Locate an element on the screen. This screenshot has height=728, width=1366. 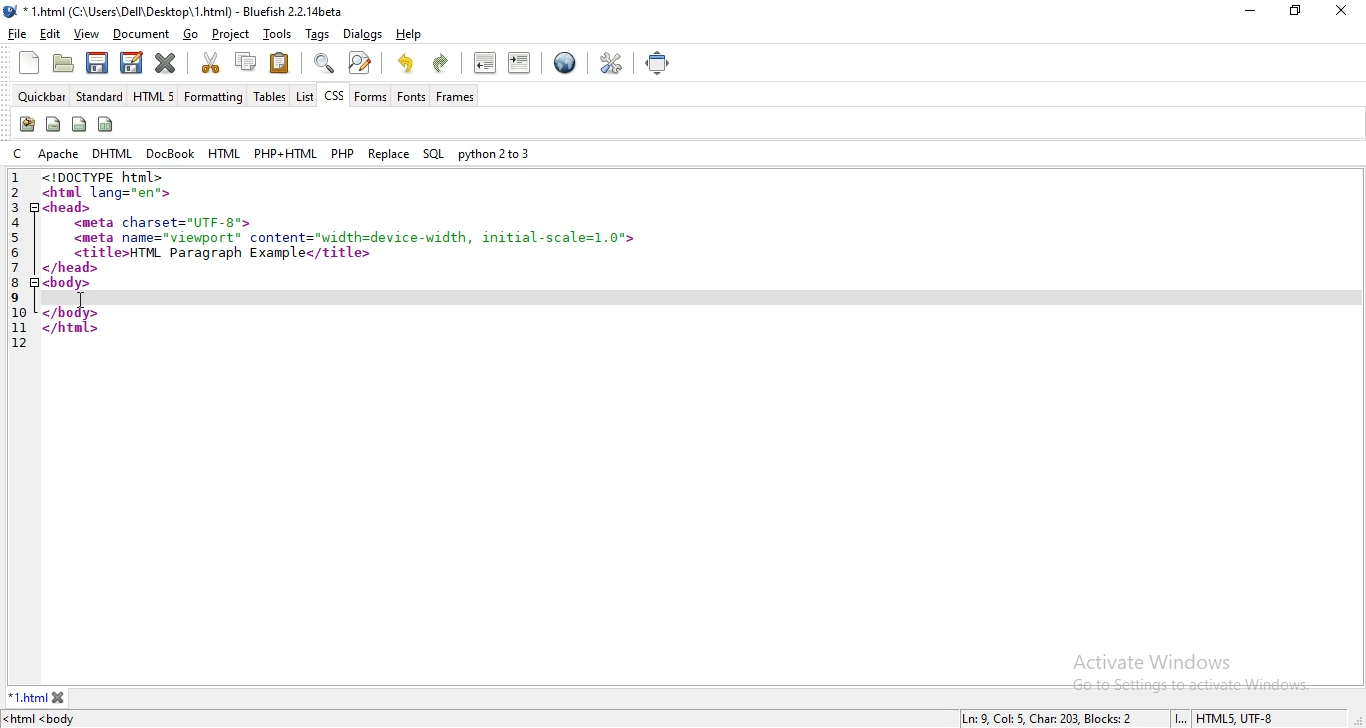
formatting is located at coordinates (215, 96).